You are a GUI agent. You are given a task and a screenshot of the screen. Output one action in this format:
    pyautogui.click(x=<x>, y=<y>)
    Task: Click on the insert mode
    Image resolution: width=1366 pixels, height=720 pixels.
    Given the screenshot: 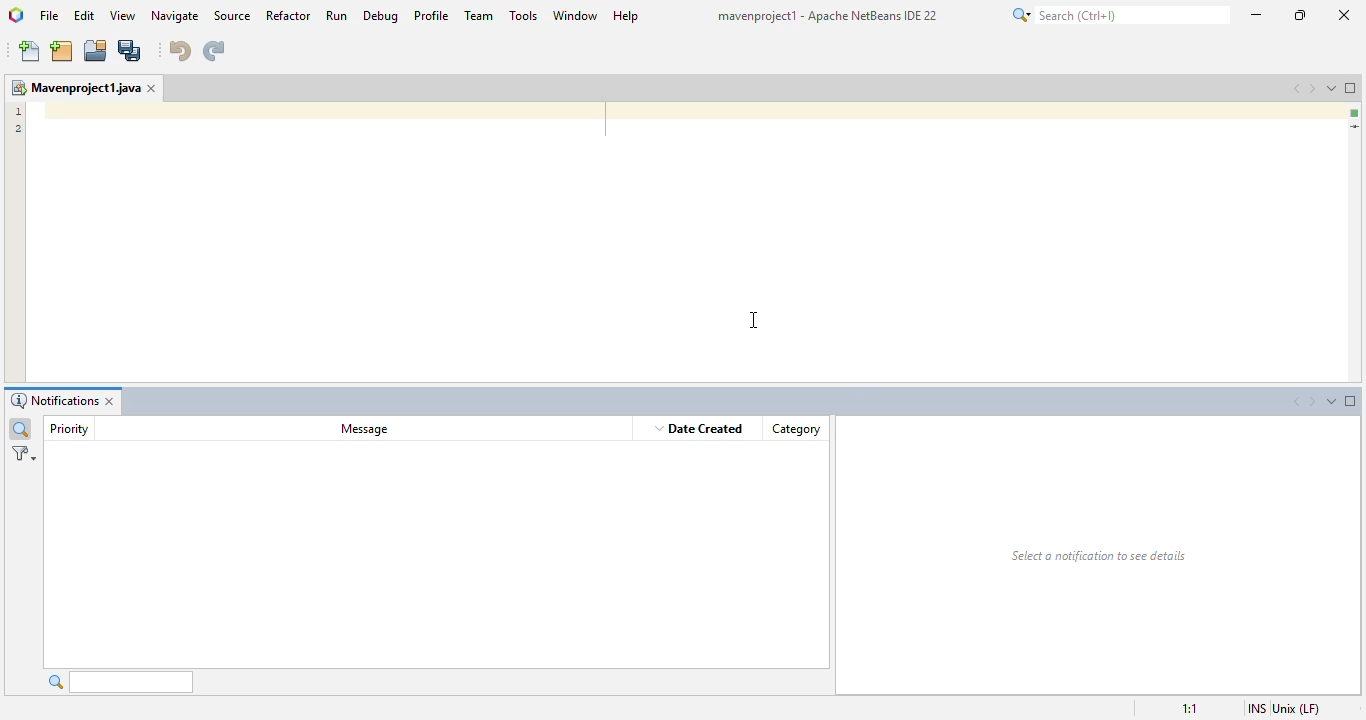 What is the action you would take?
    pyautogui.click(x=1255, y=708)
    